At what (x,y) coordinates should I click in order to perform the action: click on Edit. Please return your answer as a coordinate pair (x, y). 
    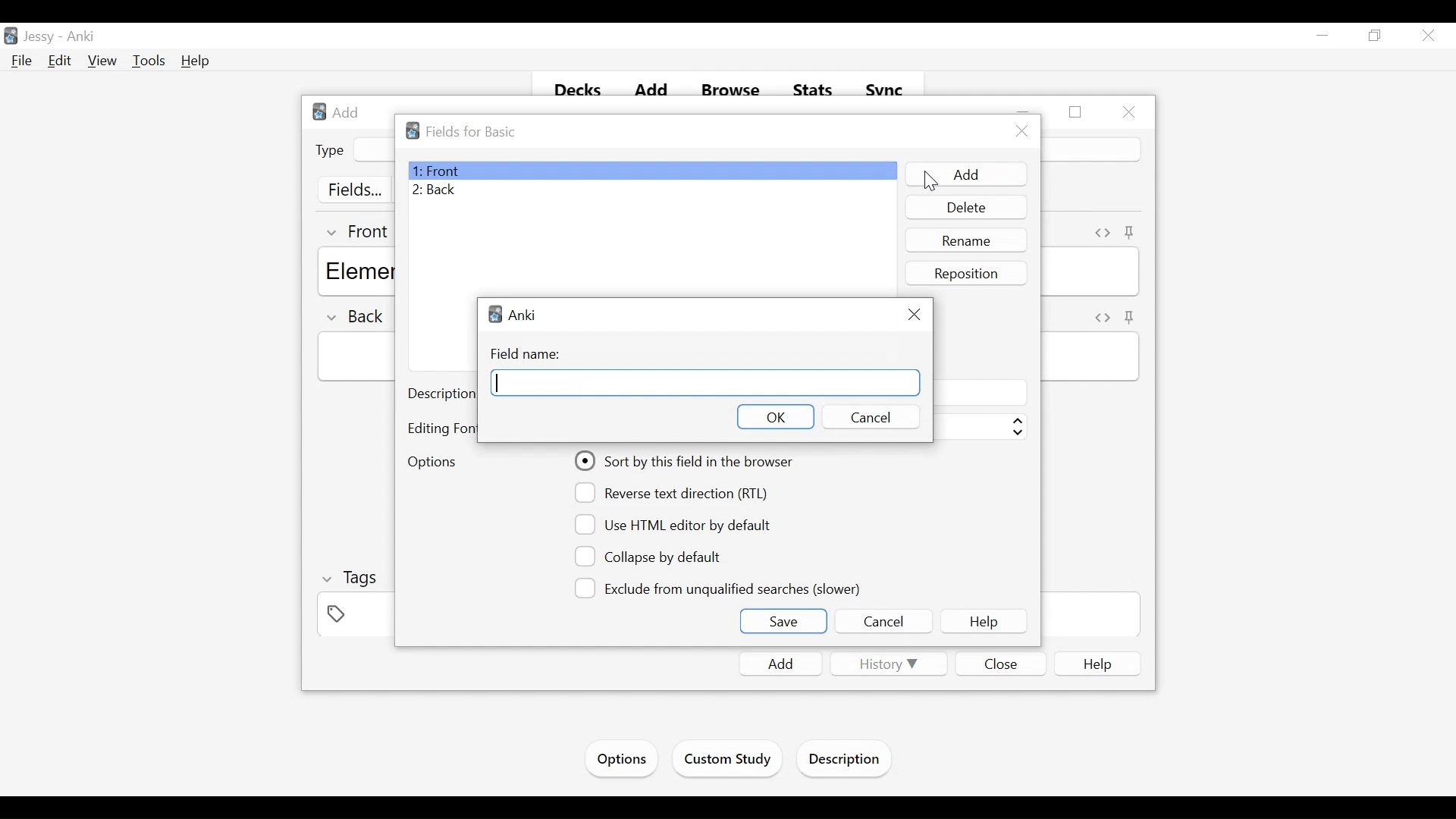
    Looking at the image, I should click on (60, 60).